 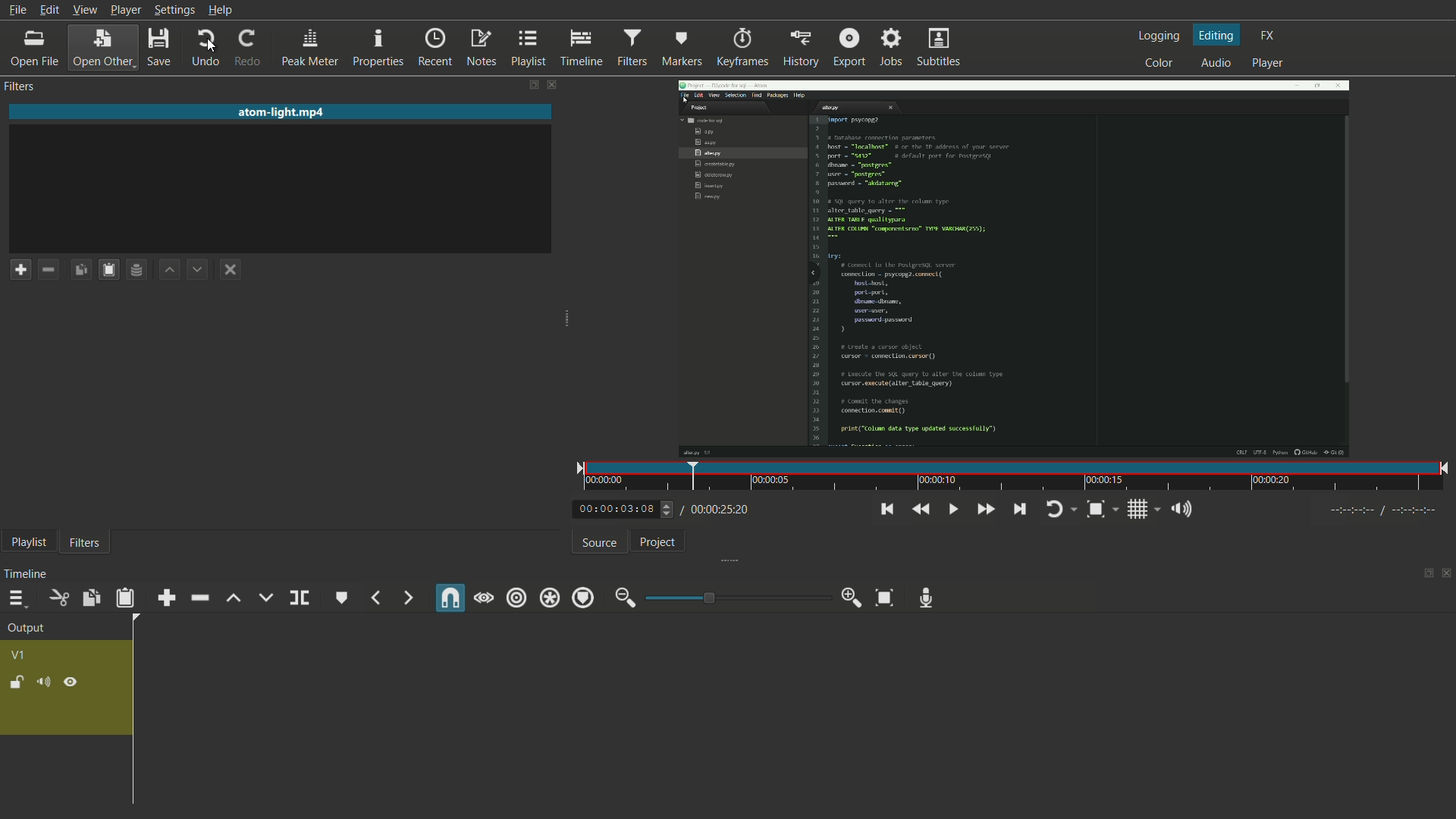 I want to click on overwrite, so click(x=265, y=598).